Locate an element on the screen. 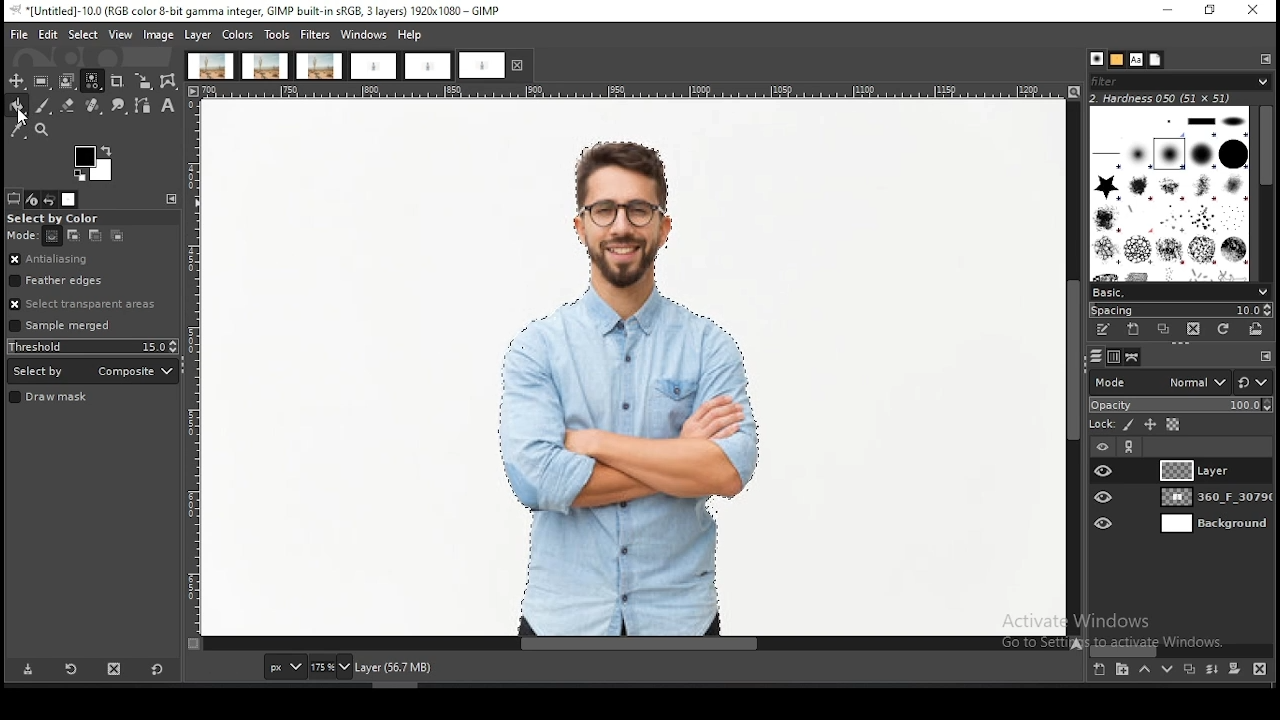 Image resolution: width=1280 pixels, height=720 pixels. scroll bar is located at coordinates (1182, 650).